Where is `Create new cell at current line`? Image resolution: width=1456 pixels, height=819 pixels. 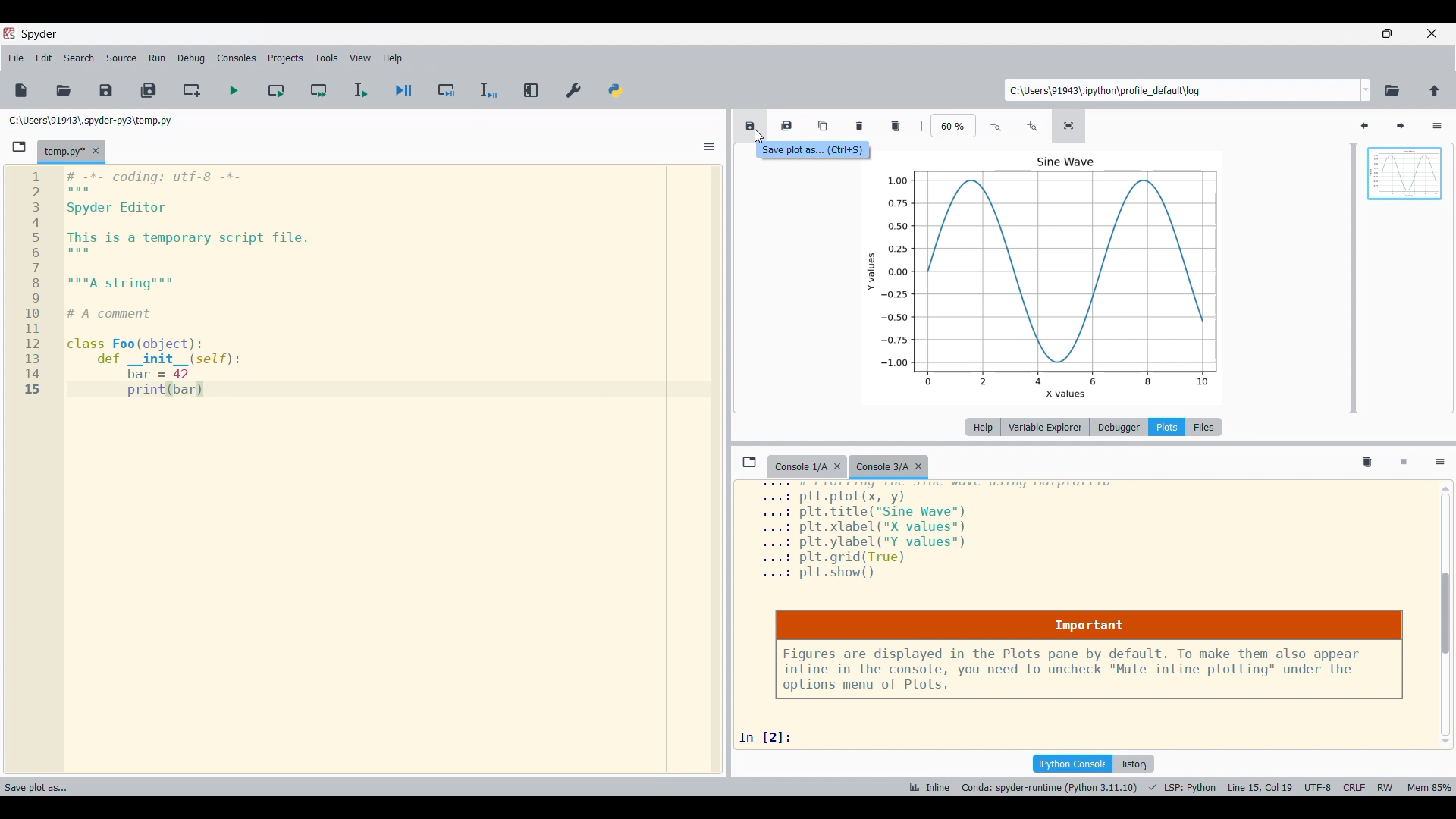
Create new cell at current line is located at coordinates (191, 90).